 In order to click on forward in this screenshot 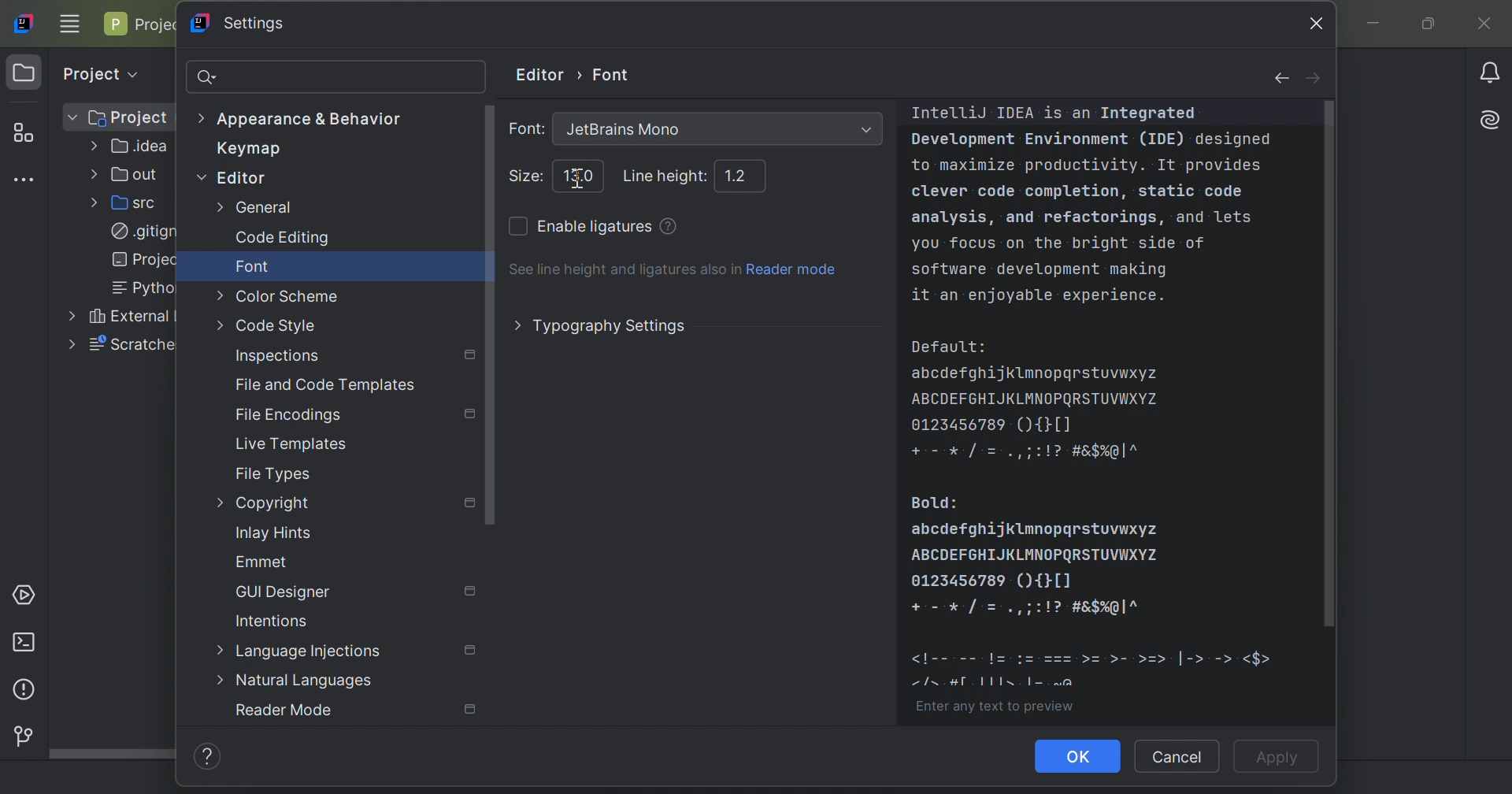, I will do `click(1314, 80)`.